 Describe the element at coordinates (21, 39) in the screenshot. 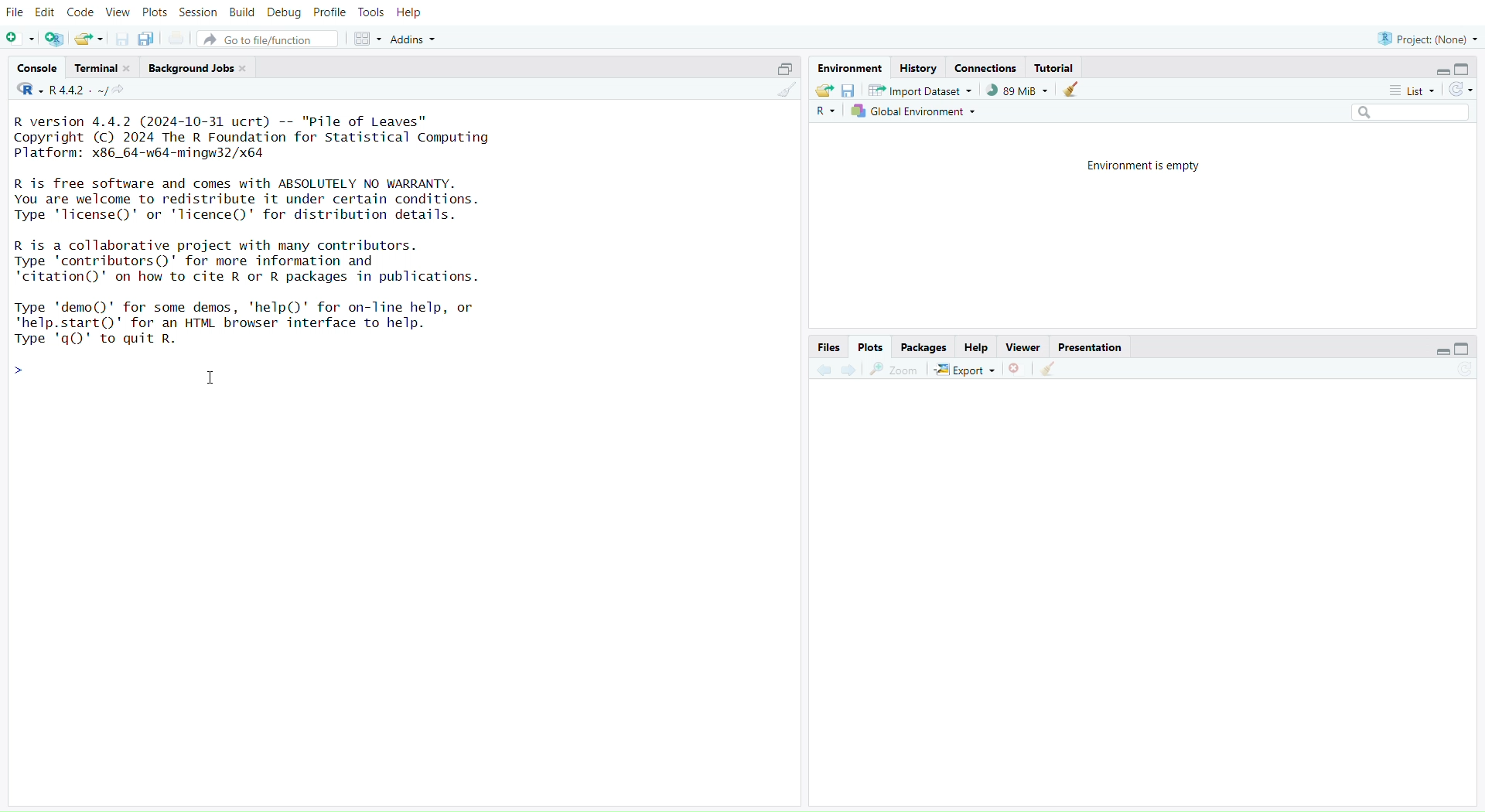

I see `New File` at that location.